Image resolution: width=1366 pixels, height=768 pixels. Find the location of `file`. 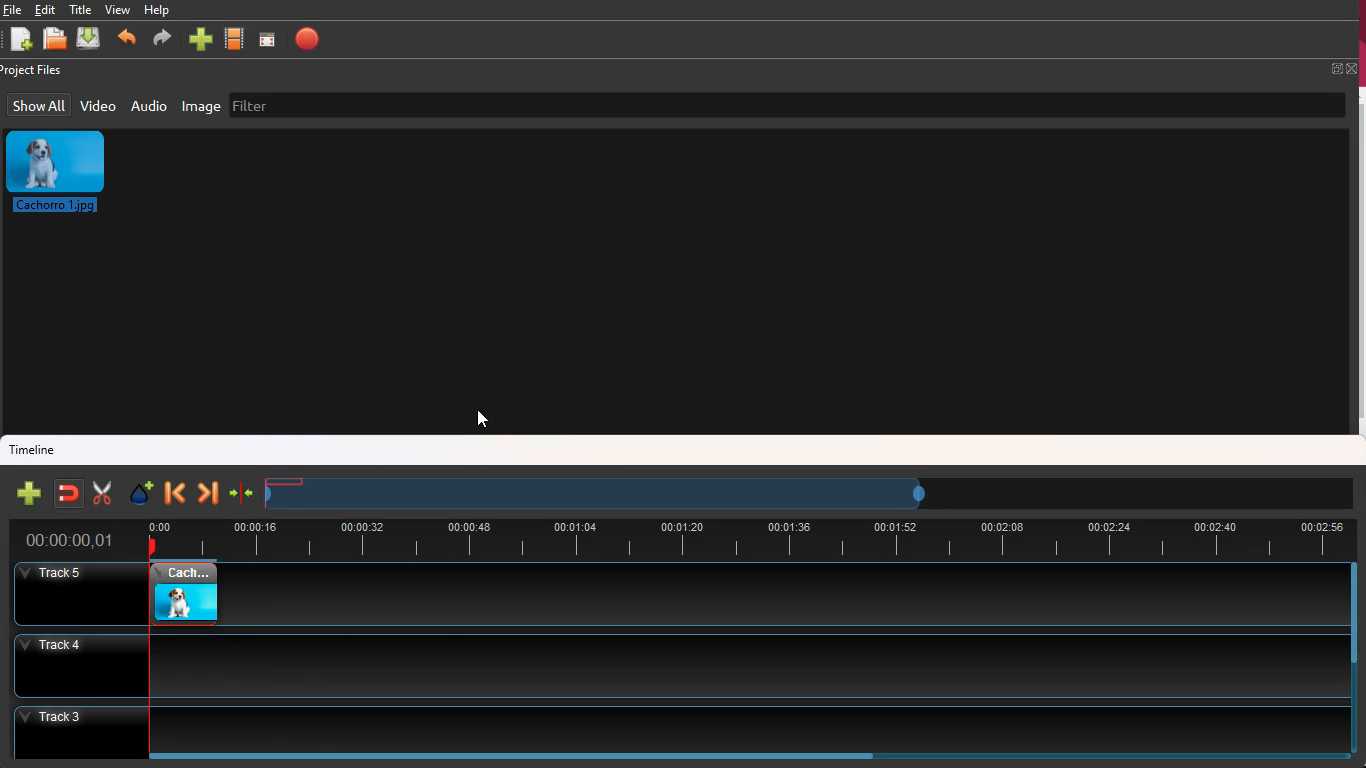

file is located at coordinates (11, 11).